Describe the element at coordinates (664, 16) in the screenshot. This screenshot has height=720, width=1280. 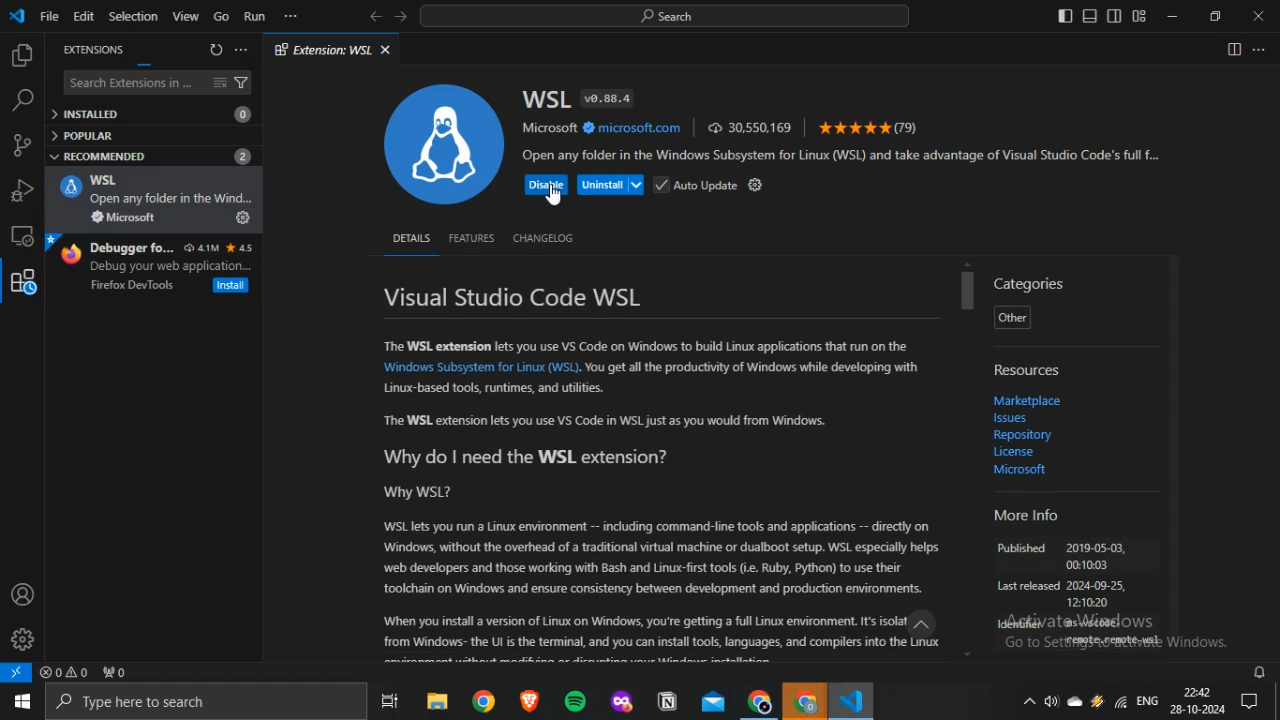
I see `search` at that location.